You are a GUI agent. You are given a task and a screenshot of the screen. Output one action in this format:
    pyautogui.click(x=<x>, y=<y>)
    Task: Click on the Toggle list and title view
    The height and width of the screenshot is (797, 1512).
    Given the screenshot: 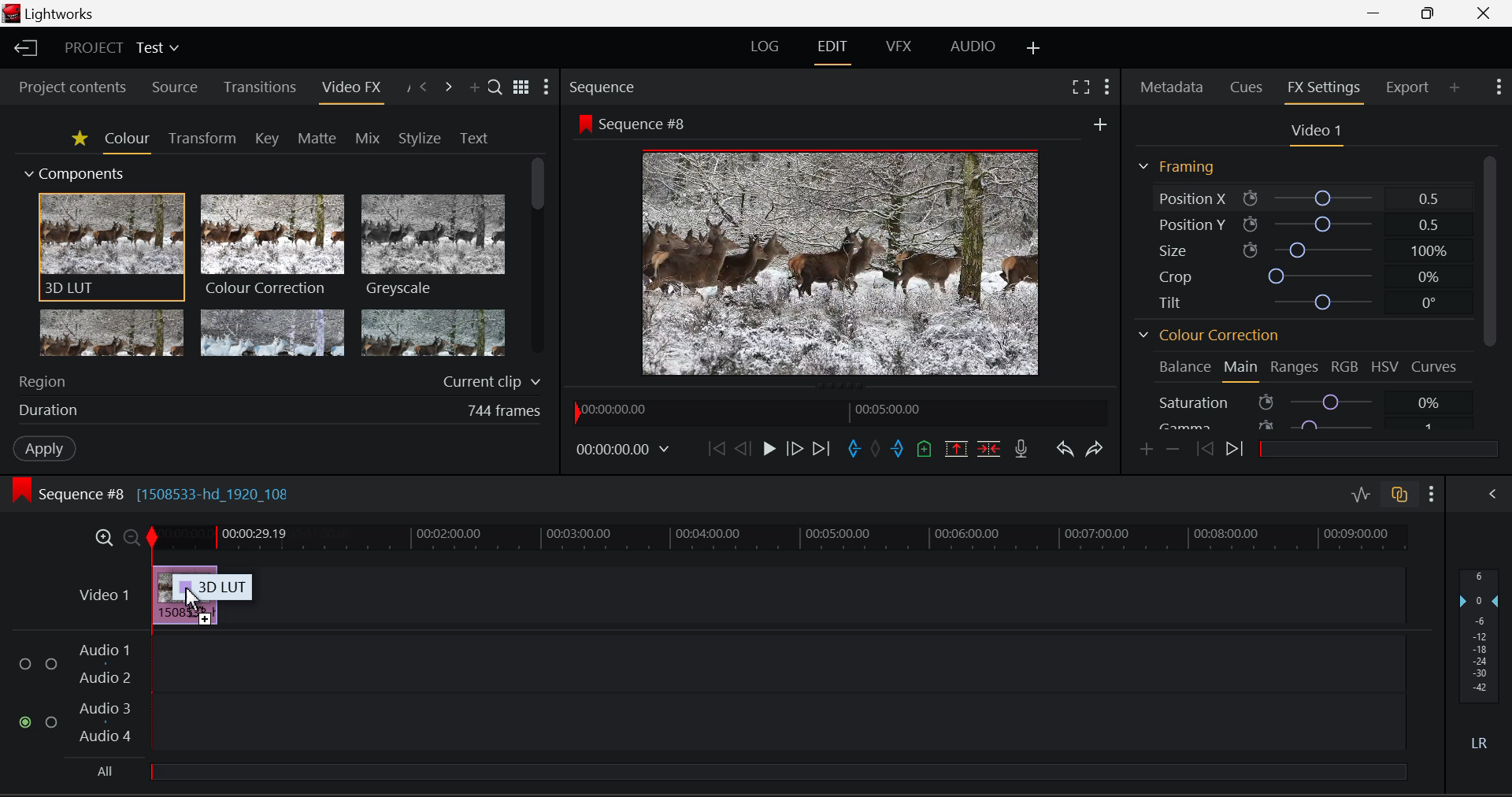 What is the action you would take?
    pyautogui.click(x=521, y=85)
    